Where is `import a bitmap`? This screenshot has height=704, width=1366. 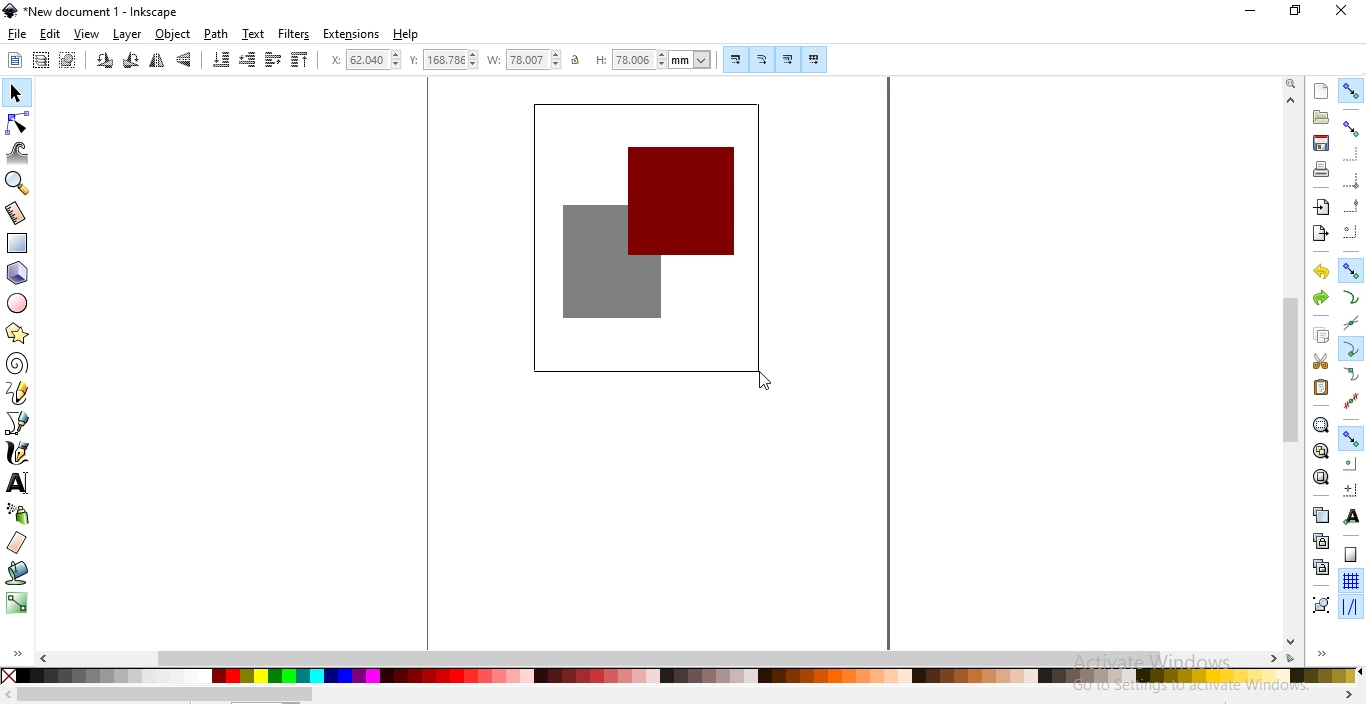
import a bitmap is located at coordinates (1320, 208).